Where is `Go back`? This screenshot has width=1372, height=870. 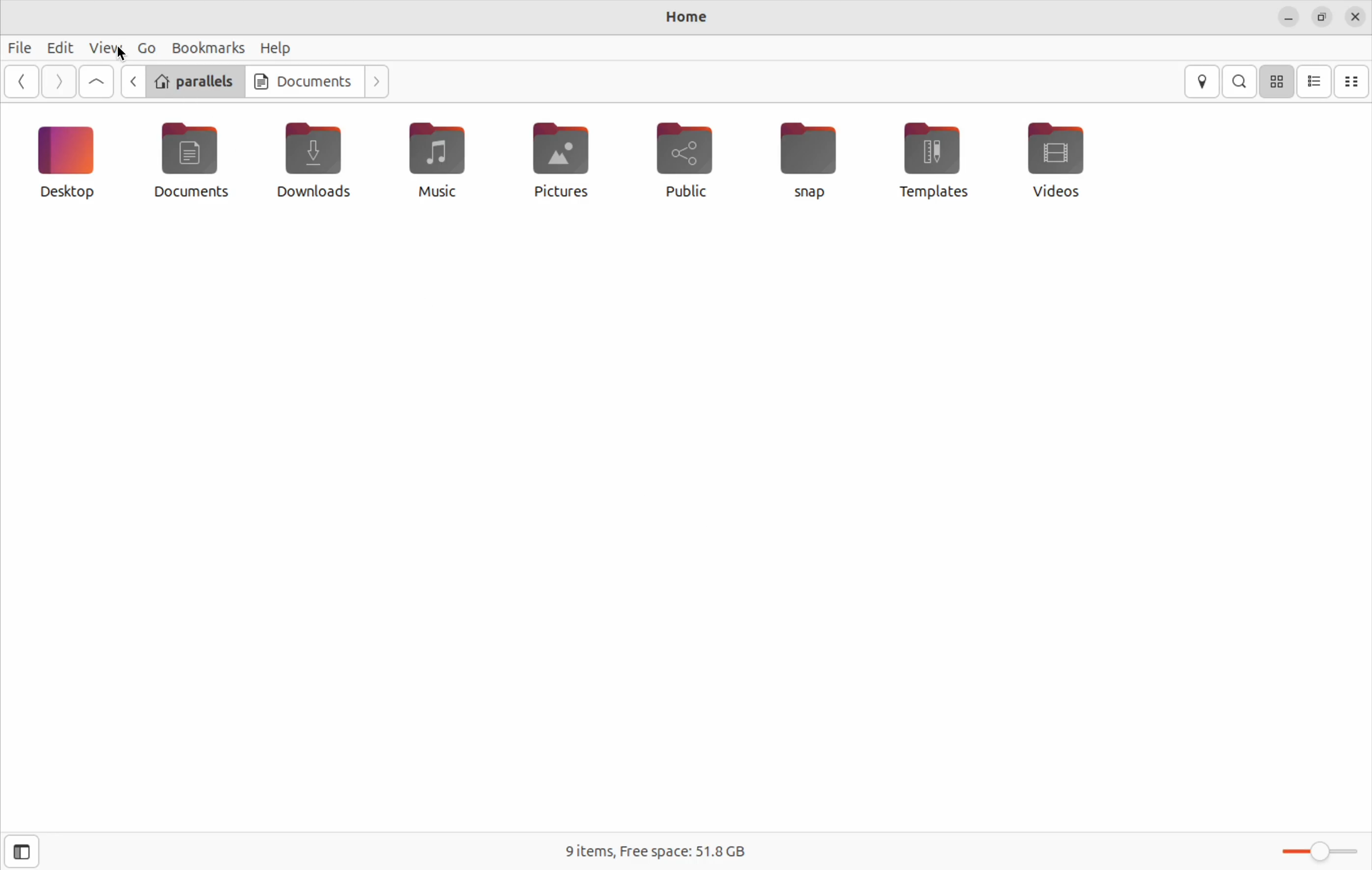
Go back is located at coordinates (23, 81).